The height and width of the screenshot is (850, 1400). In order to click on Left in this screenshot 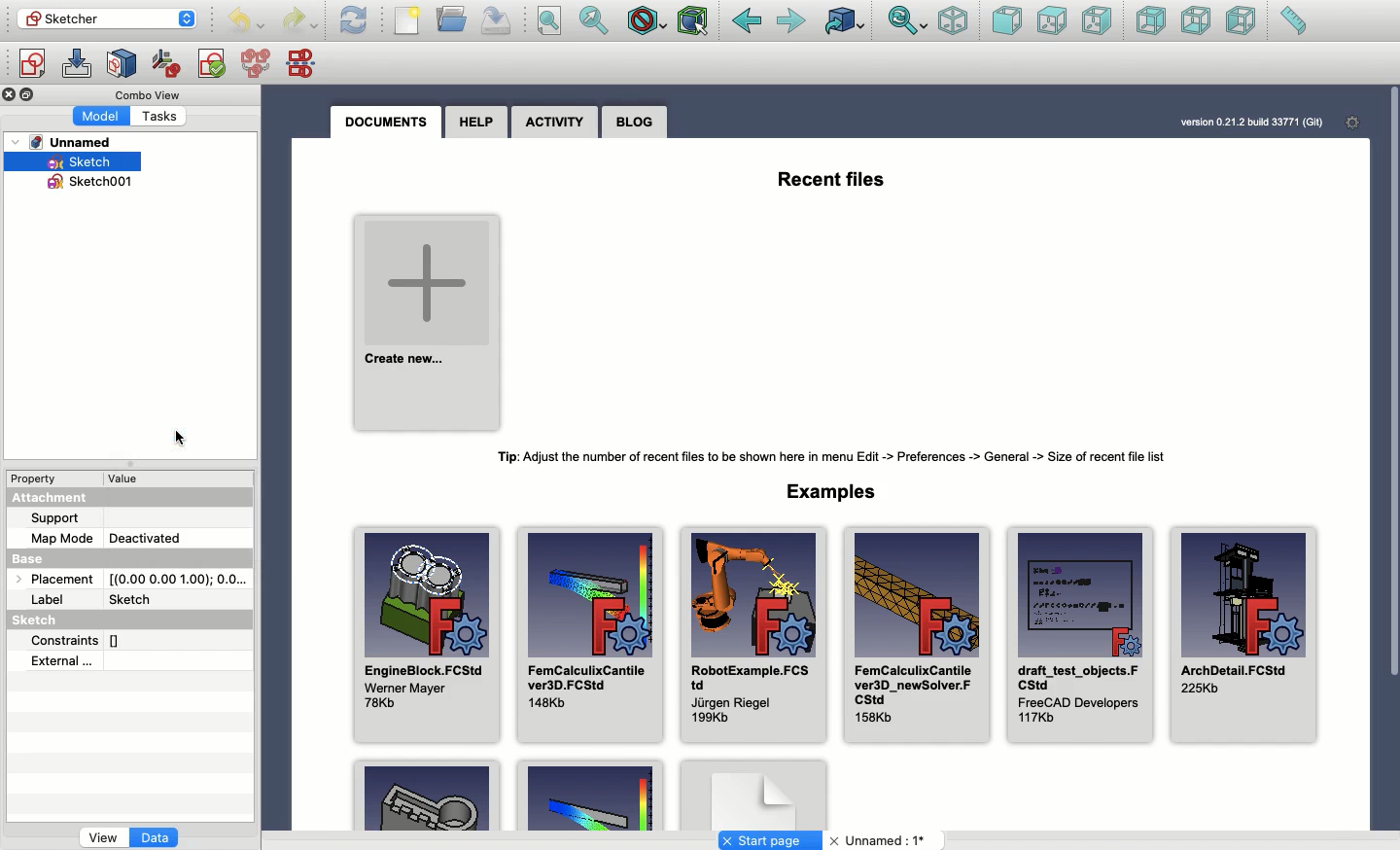, I will do `click(1242, 20)`.